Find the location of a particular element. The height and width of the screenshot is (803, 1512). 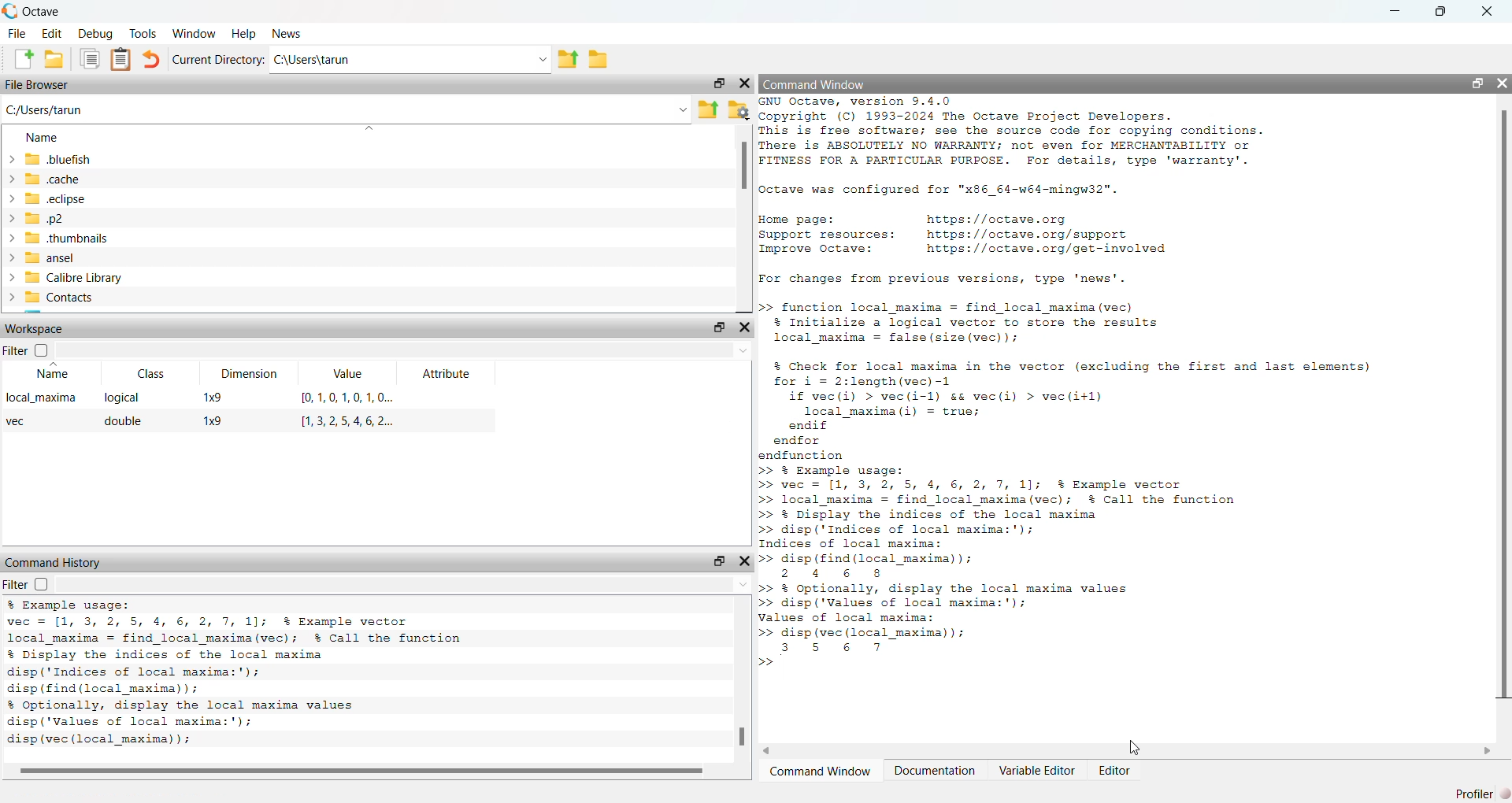

Undock Widget is located at coordinates (717, 83).